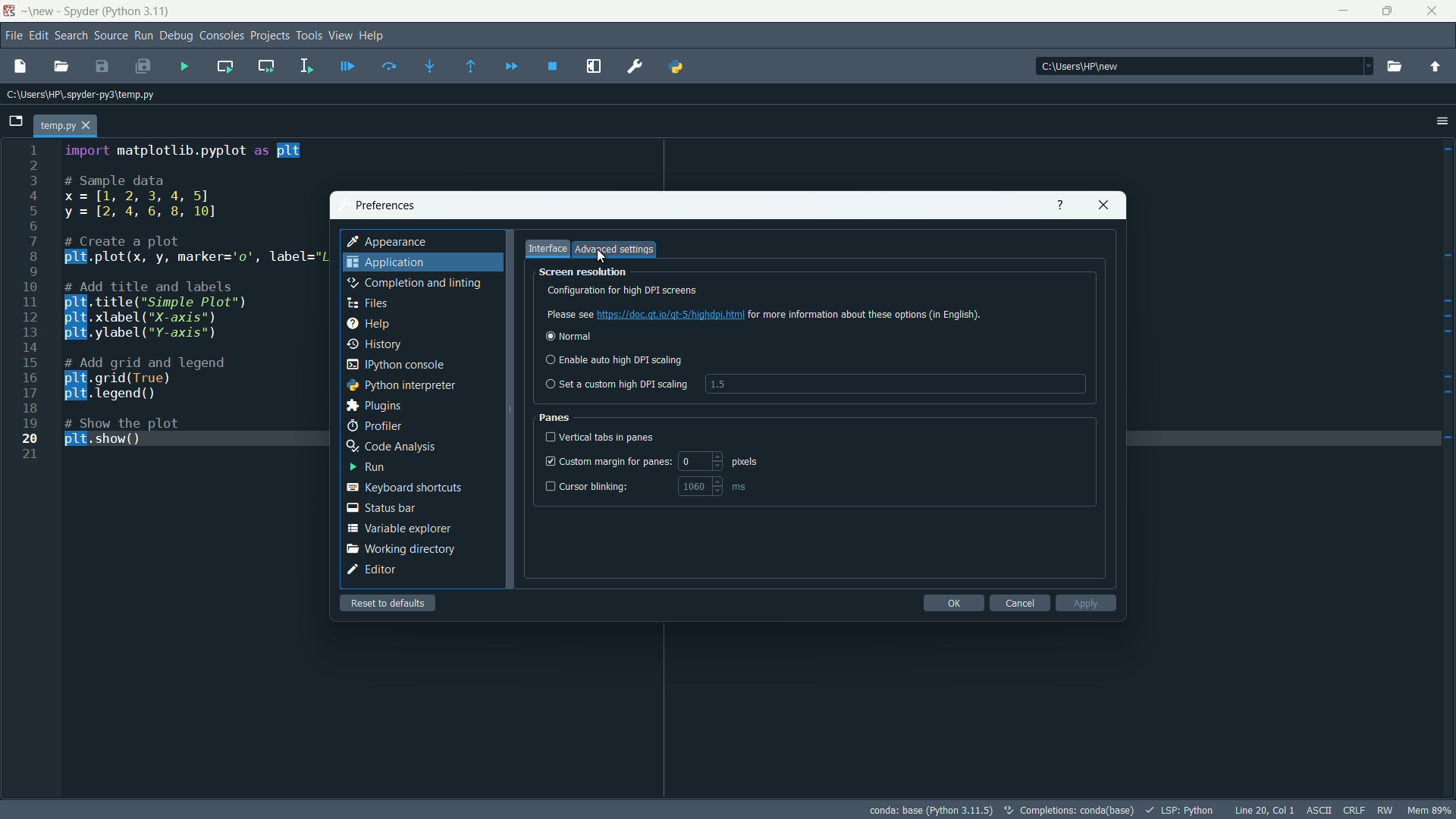  Describe the element at coordinates (744, 461) in the screenshot. I see `pixels` at that location.